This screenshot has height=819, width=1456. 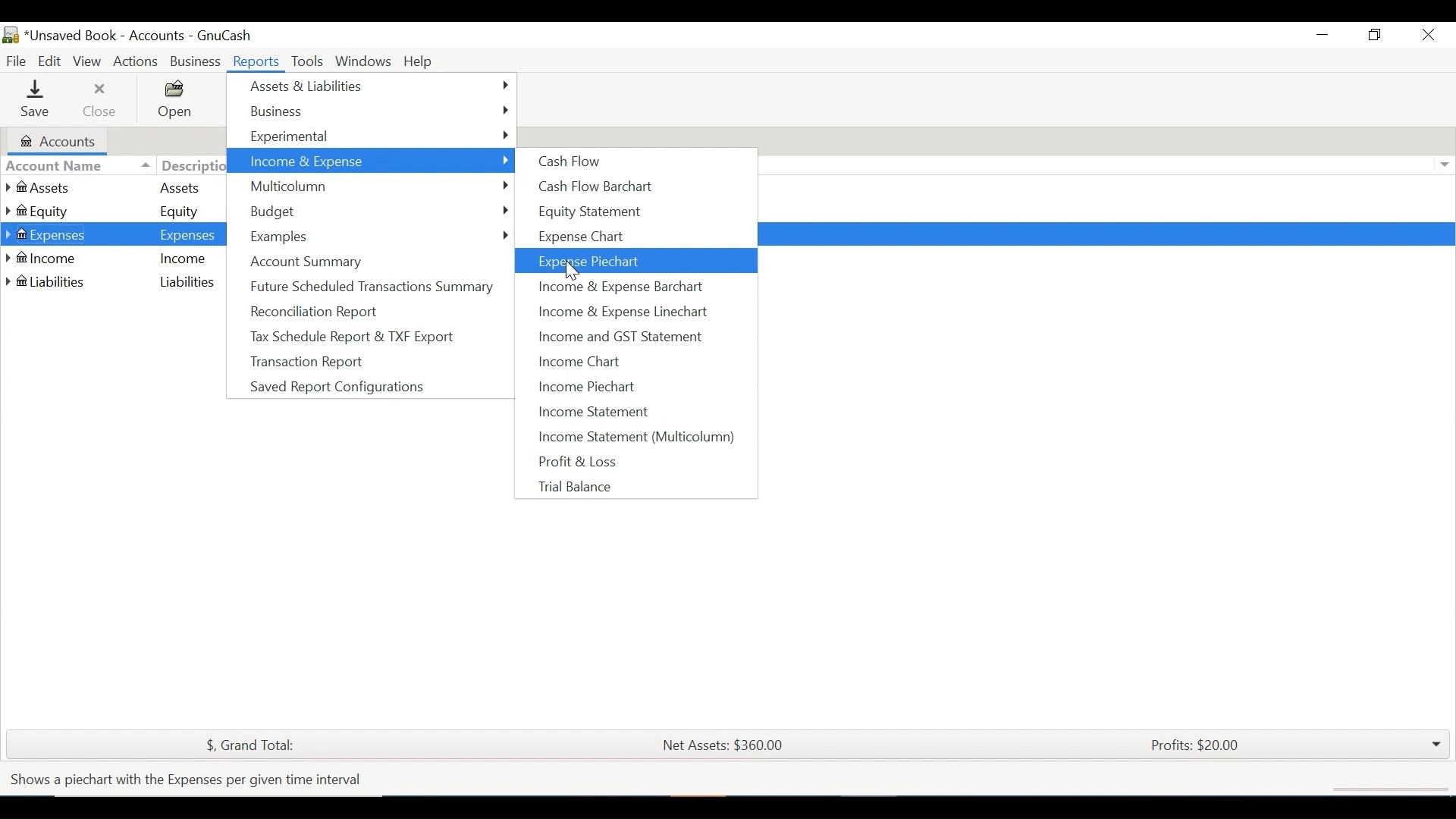 What do you see at coordinates (595, 187) in the screenshot?
I see `Cash flow Barchart` at bounding box center [595, 187].